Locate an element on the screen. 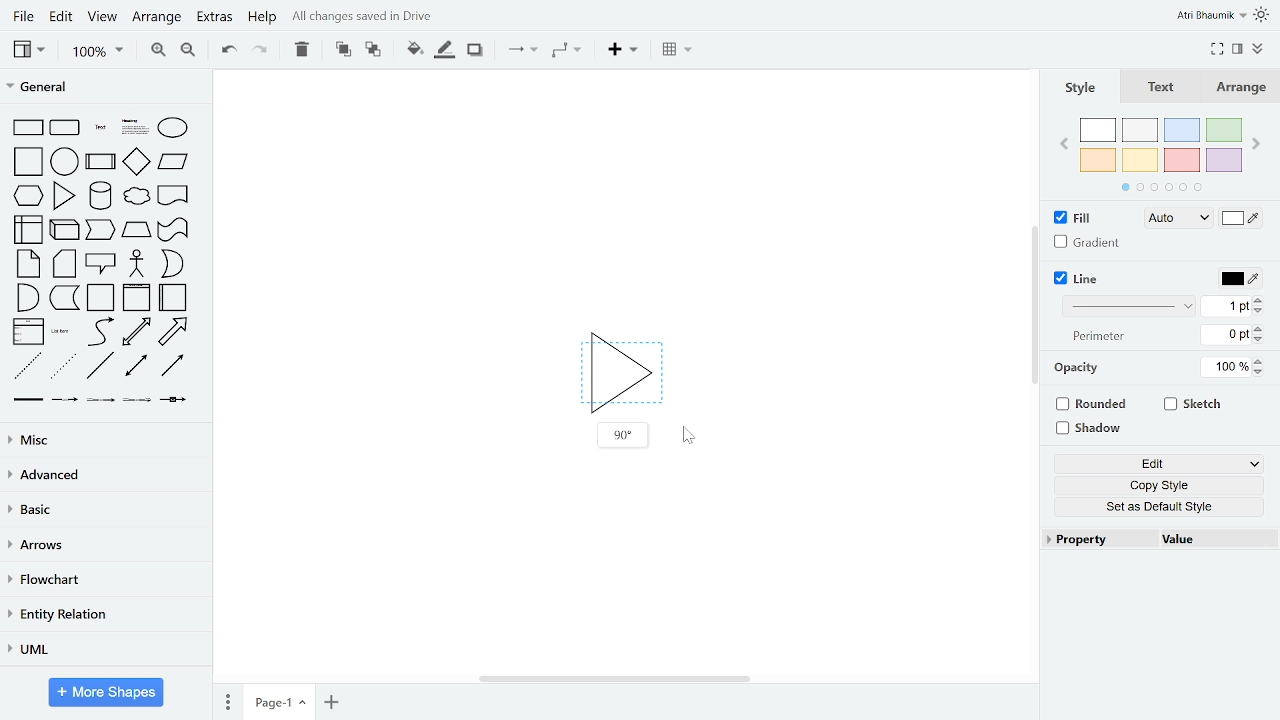 This screenshot has width=1280, height=720. horizontal storage is located at coordinates (174, 298).